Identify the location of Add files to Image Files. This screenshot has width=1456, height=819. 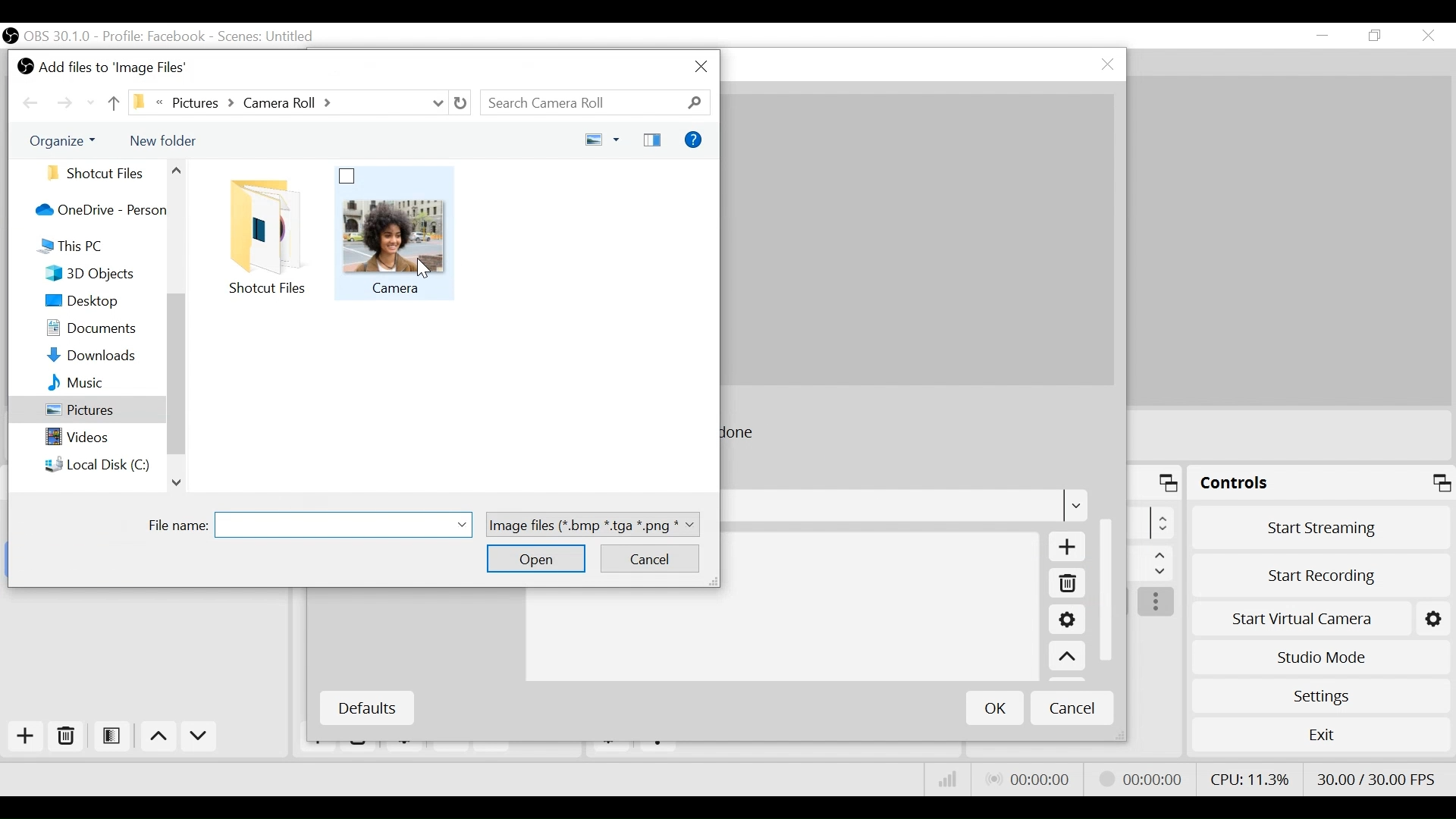
(106, 67).